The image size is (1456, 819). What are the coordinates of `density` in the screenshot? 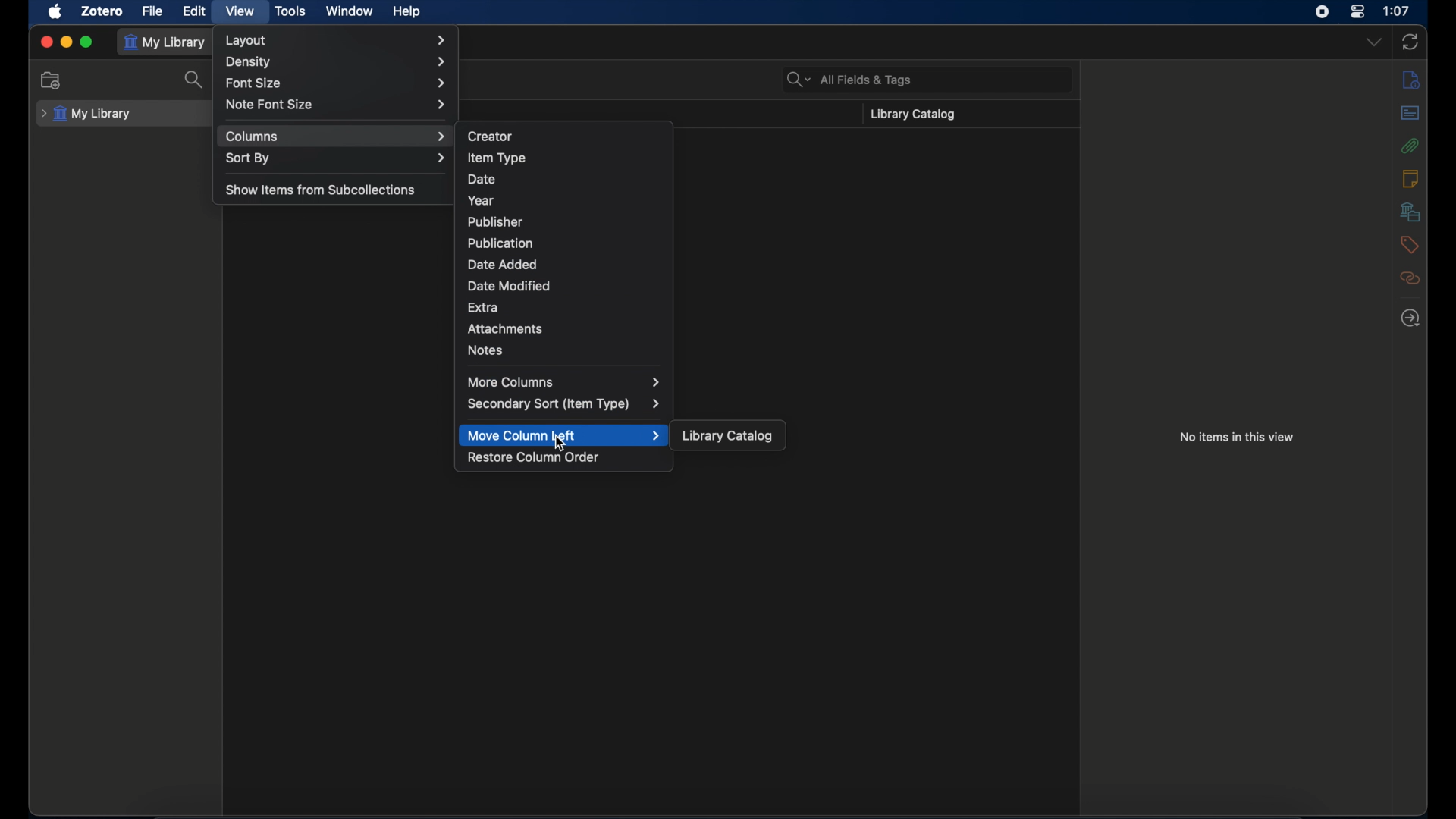 It's located at (337, 63).